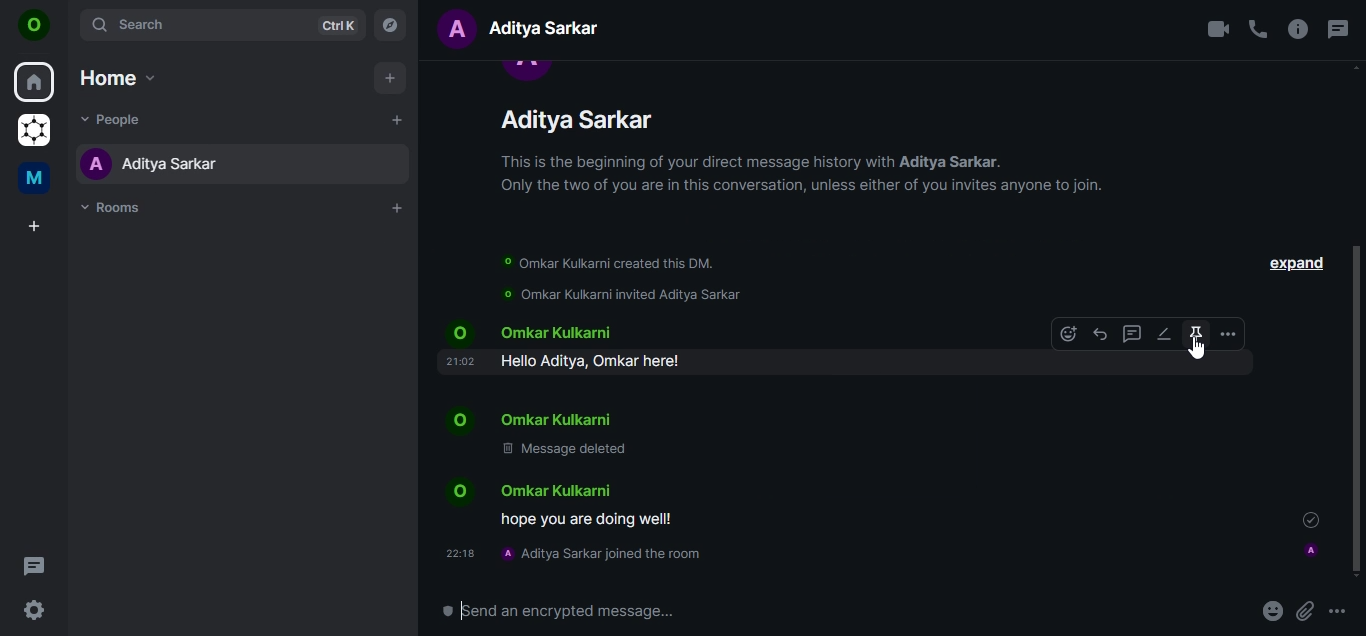 This screenshot has width=1366, height=636. What do you see at coordinates (33, 81) in the screenshot?
I see `home` at bounding box center [33, 81].